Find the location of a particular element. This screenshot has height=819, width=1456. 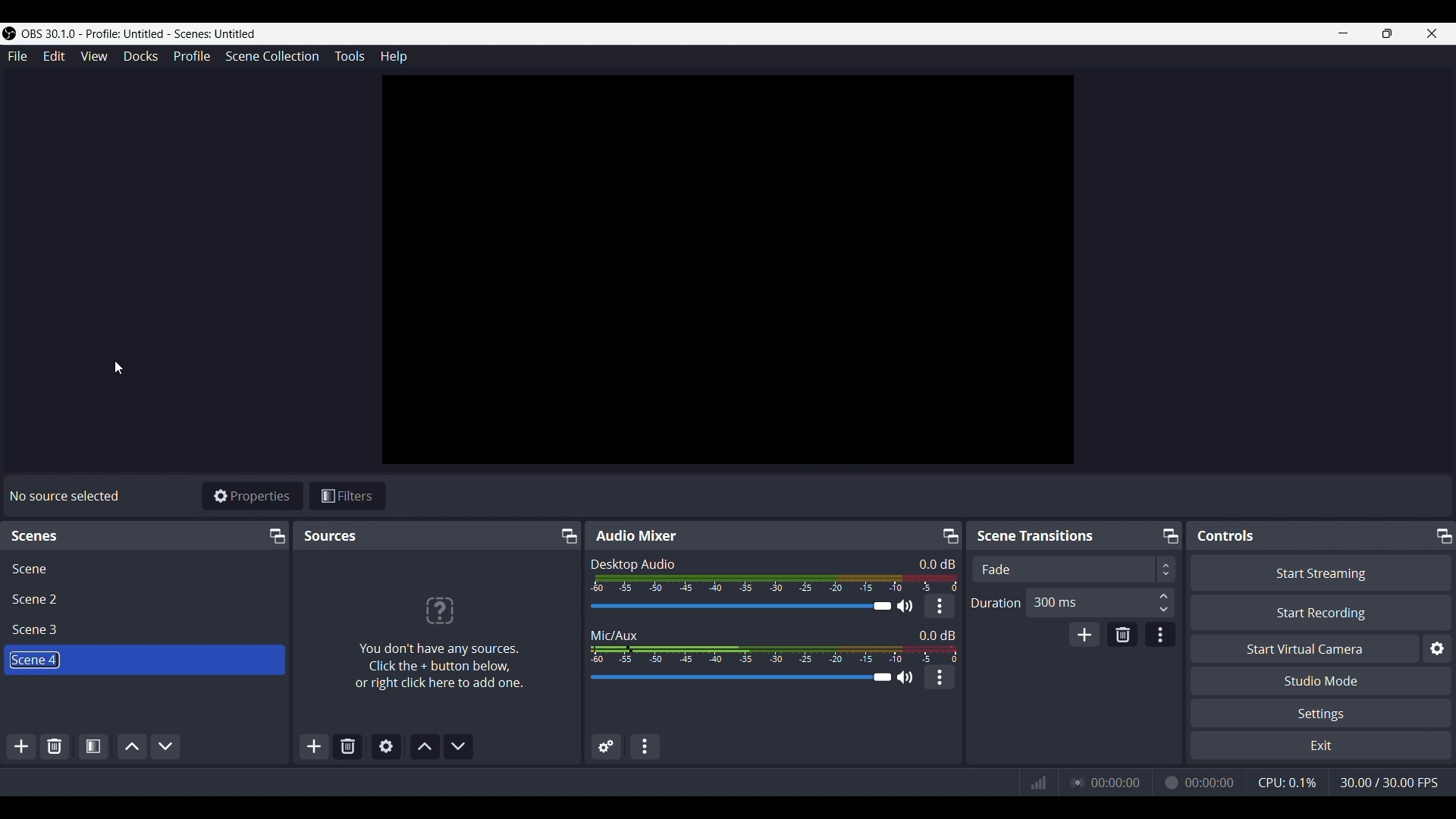

Scene 3 is located at coordinates (39, 630).